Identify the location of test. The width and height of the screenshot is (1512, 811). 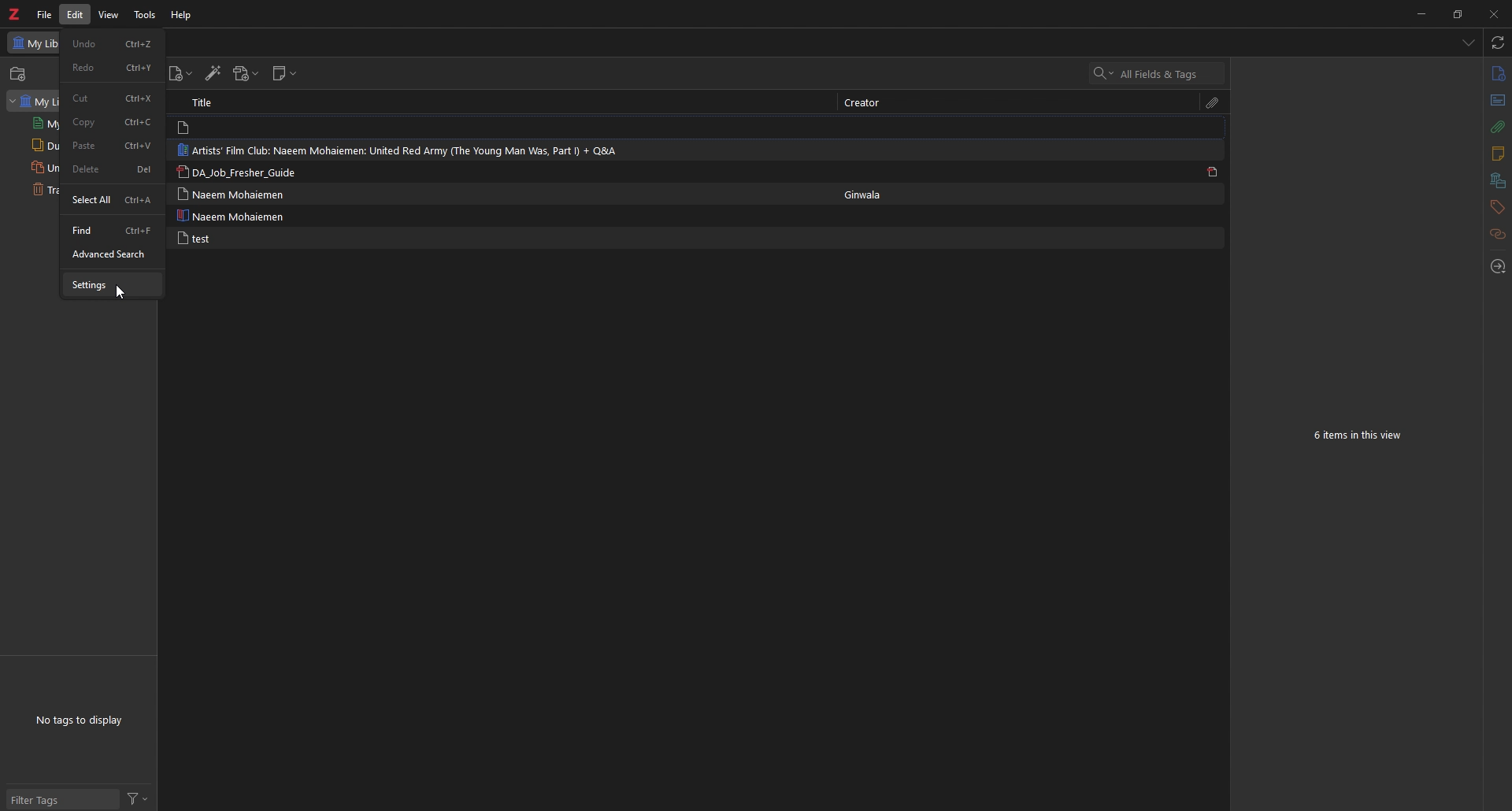
(192, 238).